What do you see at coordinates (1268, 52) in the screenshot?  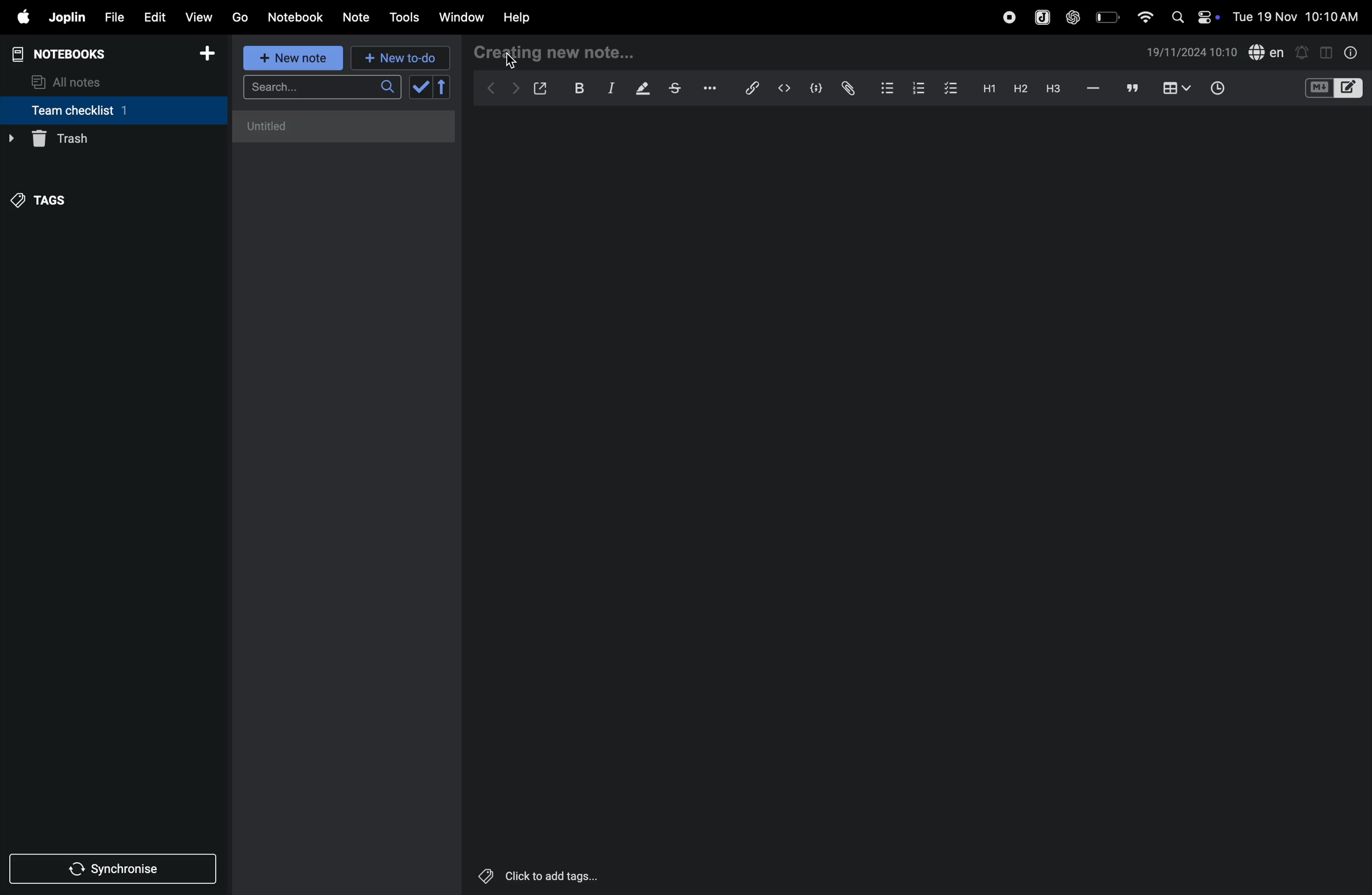 I see `spell check` at bounding box center [1268, 52].